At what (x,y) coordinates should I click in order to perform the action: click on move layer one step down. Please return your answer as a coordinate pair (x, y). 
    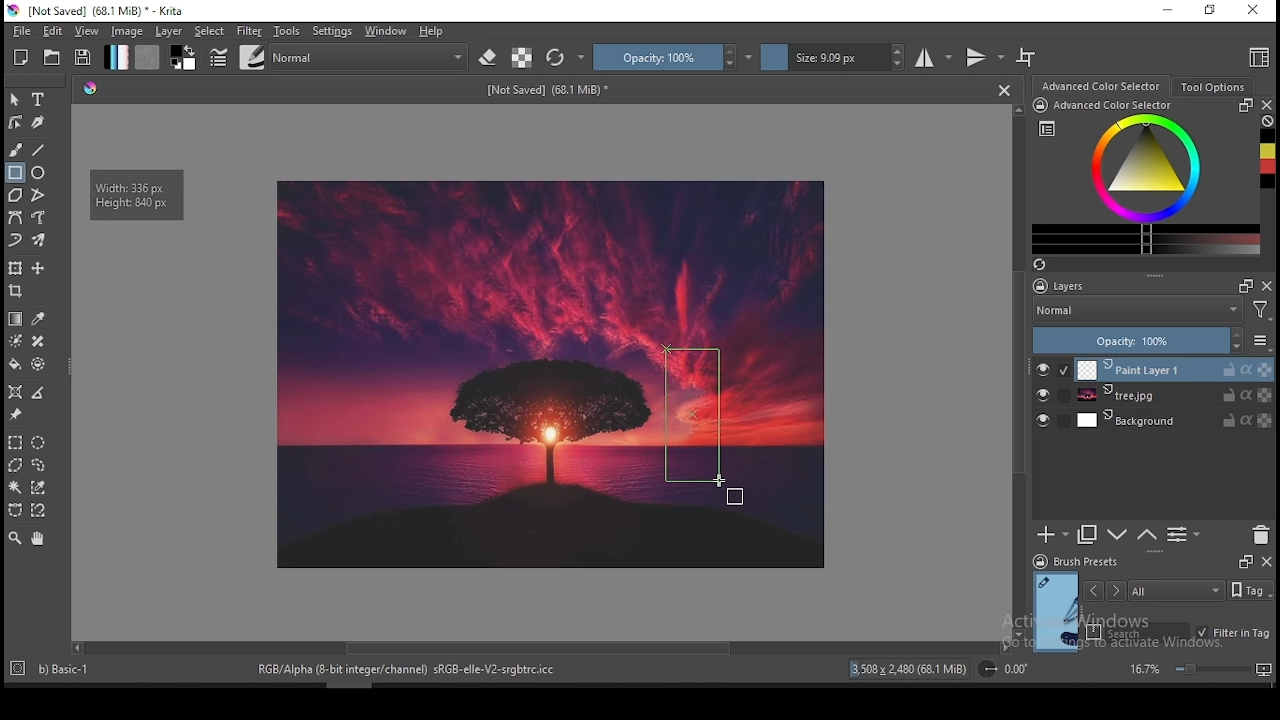
    Looking at the image, I should click on (1116, 535).